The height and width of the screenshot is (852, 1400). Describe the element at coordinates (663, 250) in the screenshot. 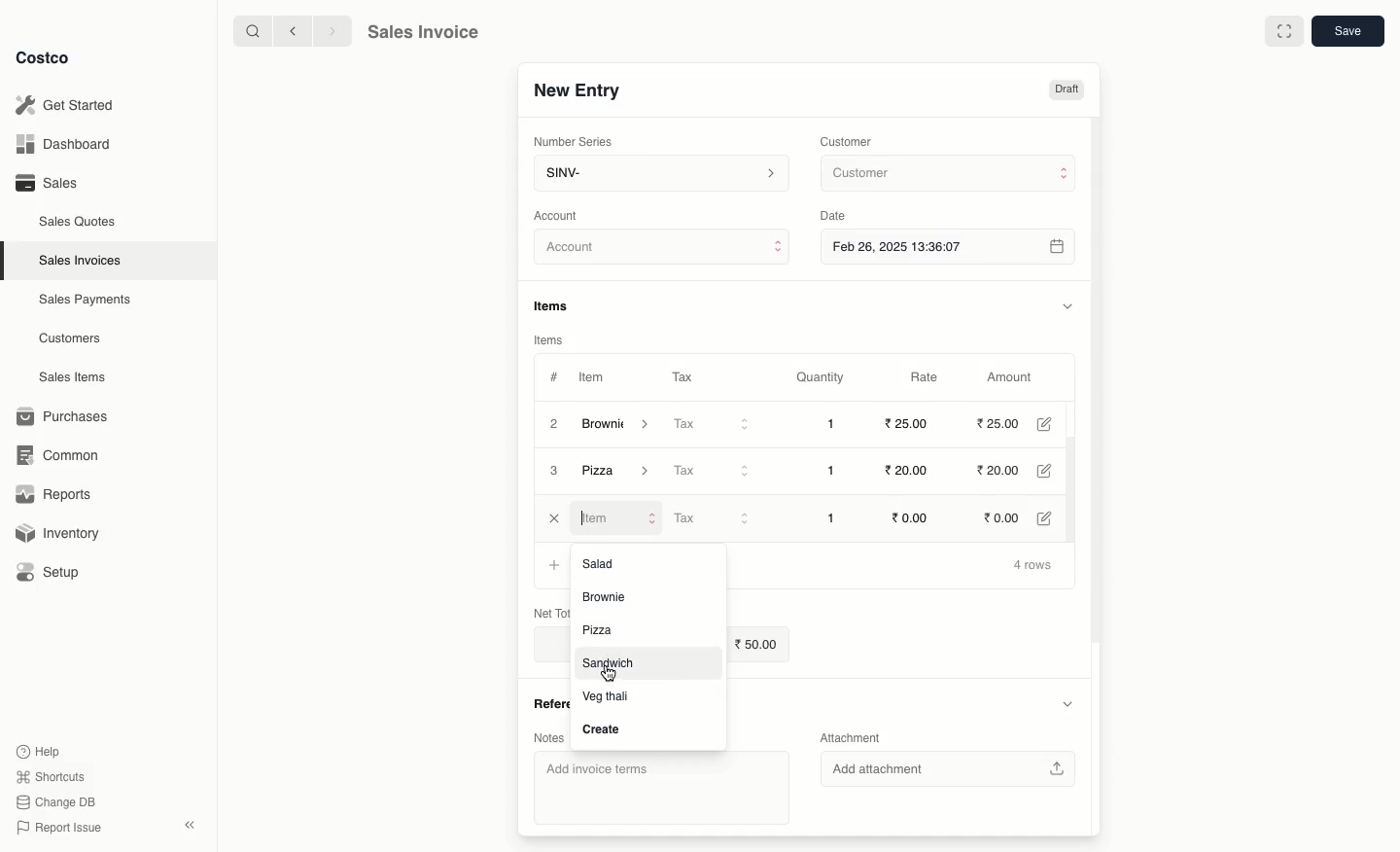

I see `Account` at that location.